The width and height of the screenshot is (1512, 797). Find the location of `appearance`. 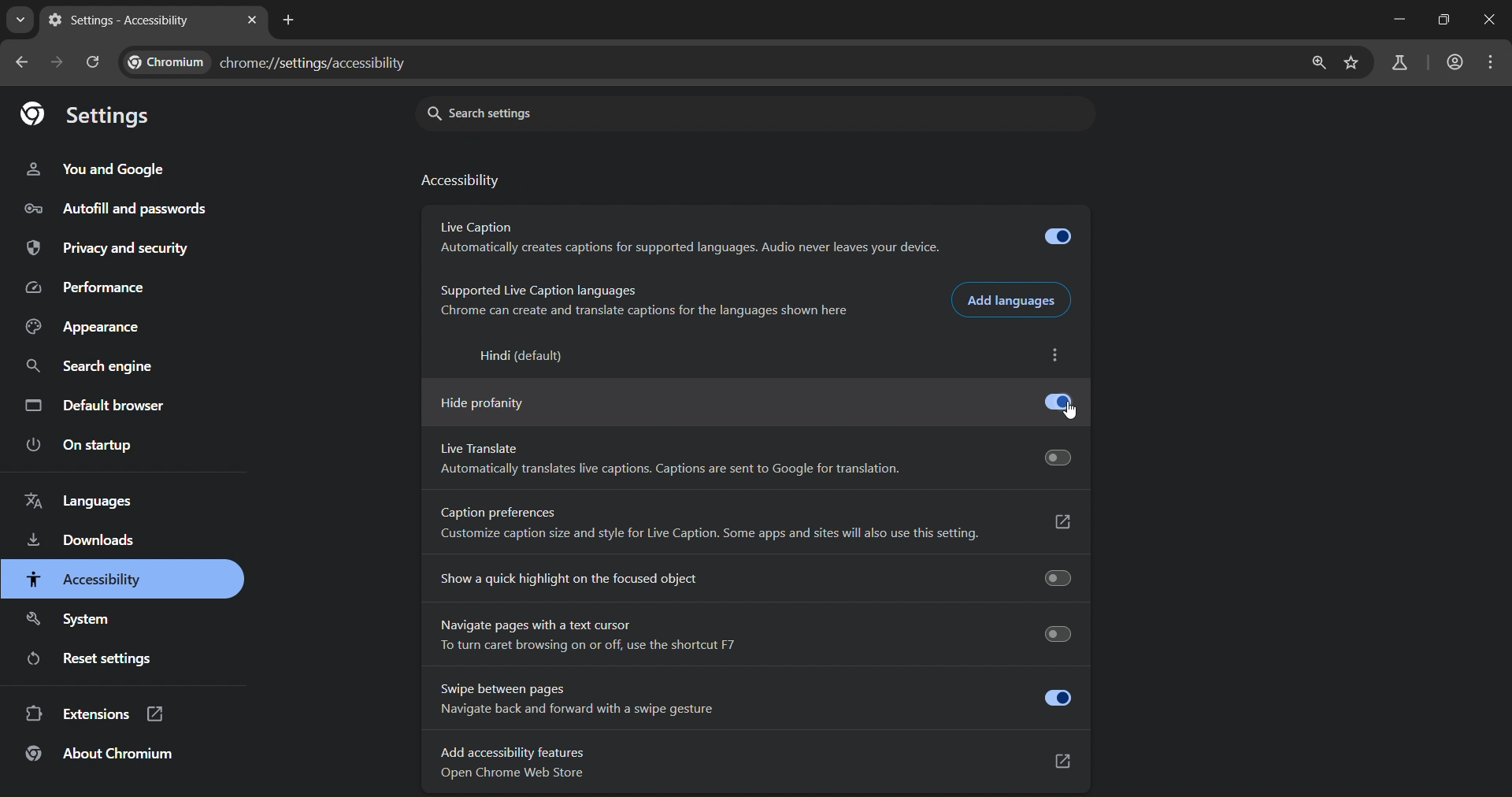

appearance is located at coordinates (86, 329).